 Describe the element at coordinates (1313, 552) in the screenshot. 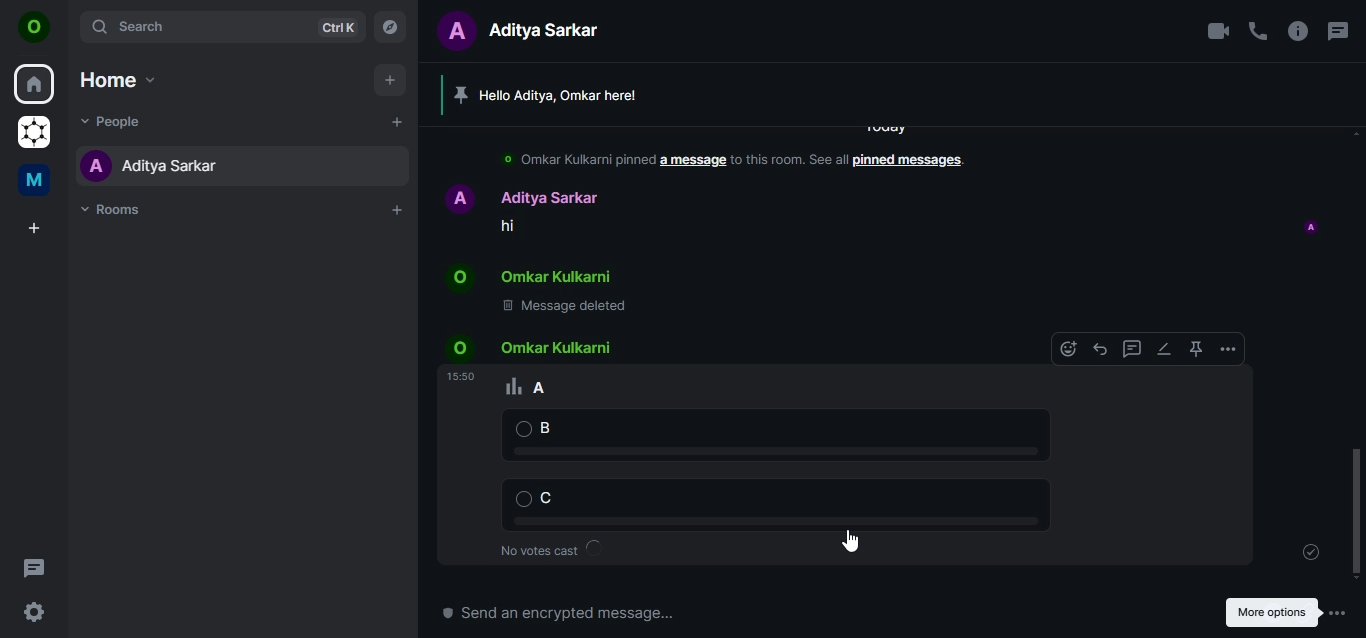

I see `message sent` at that location.